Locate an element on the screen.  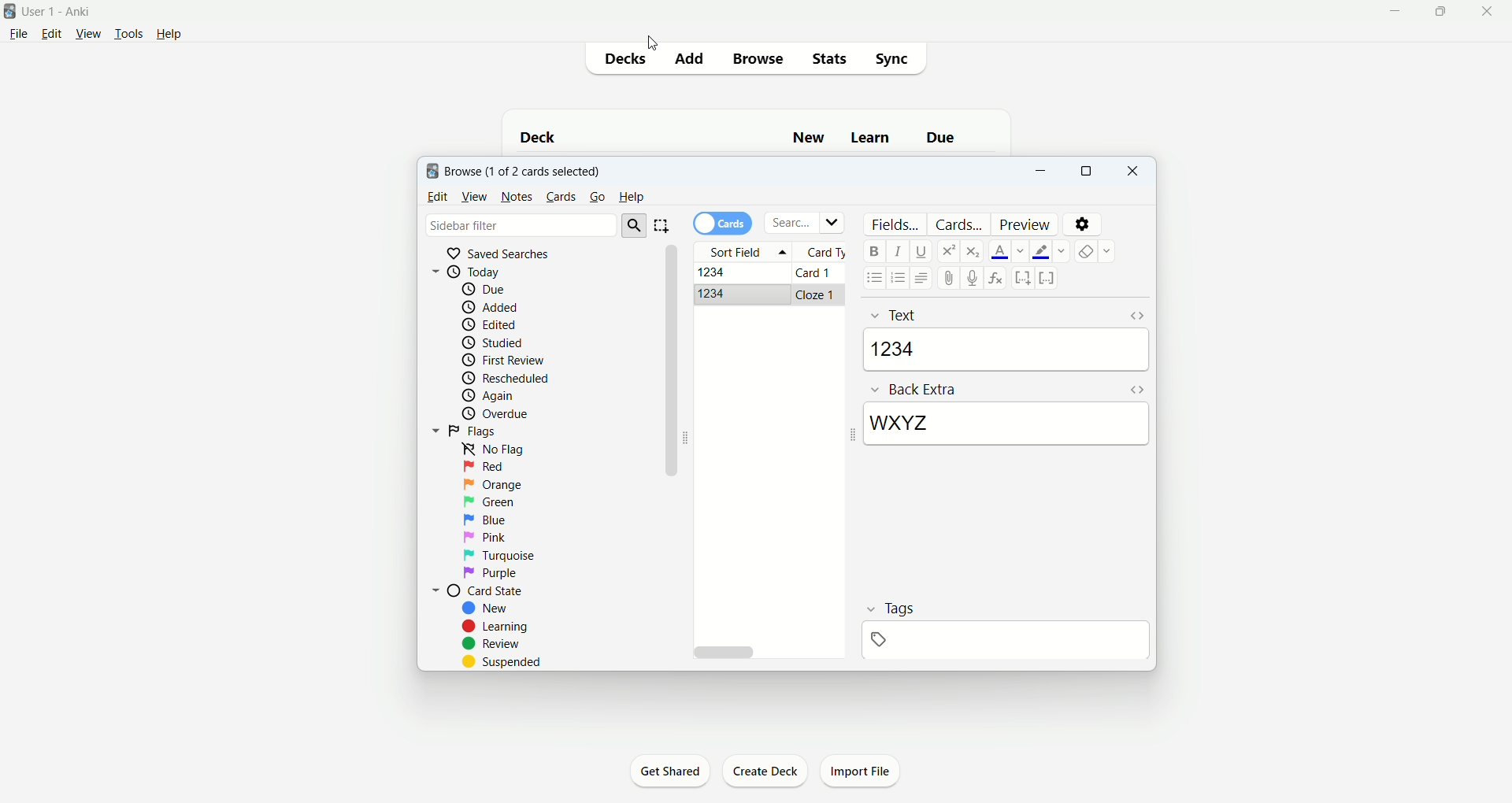
sidebar filter is located at coordinates (518, 225).